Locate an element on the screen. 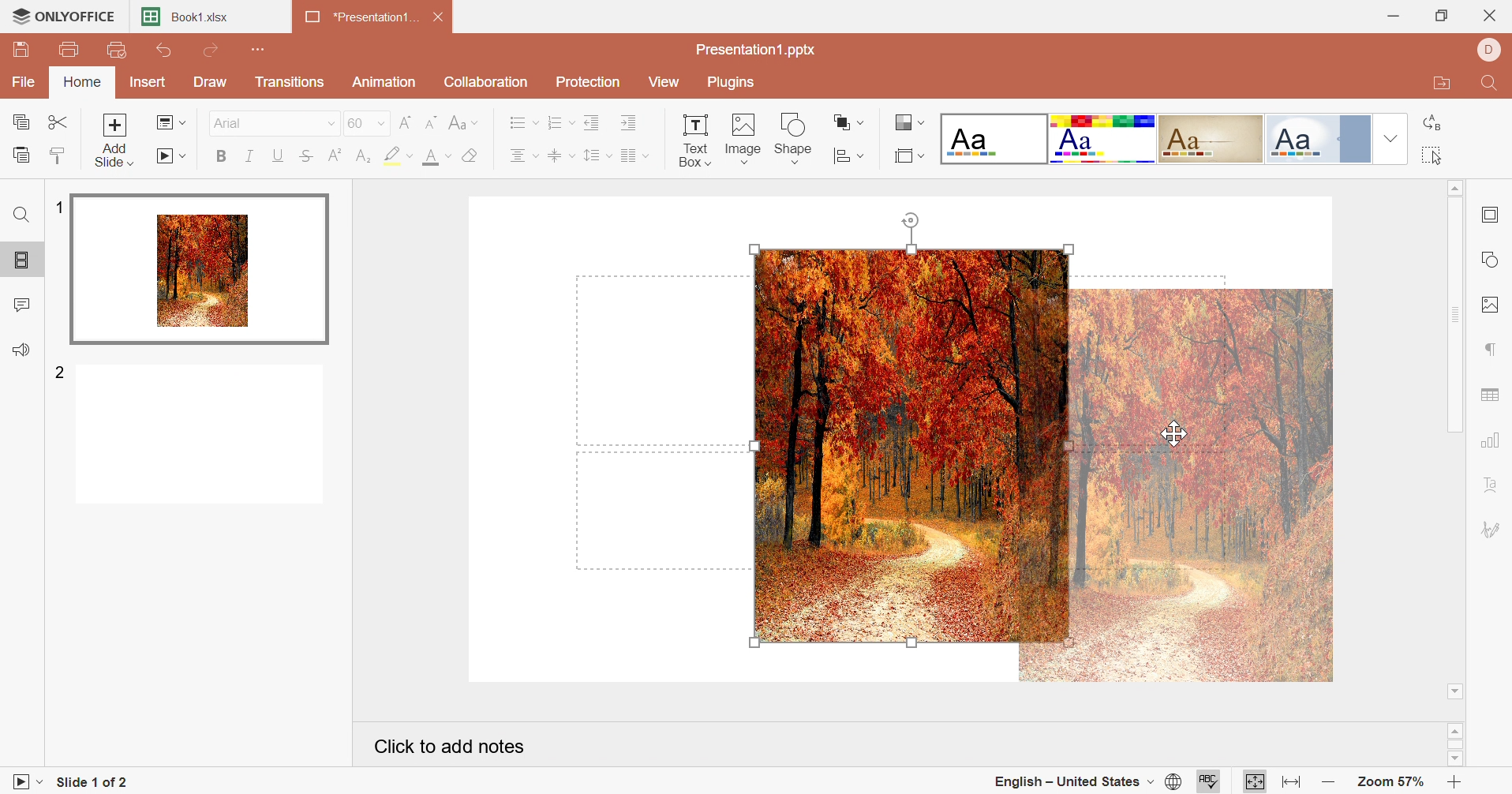 This screenshot has width=1512, height=794. Open file location is located at coordinates (1438, 86).